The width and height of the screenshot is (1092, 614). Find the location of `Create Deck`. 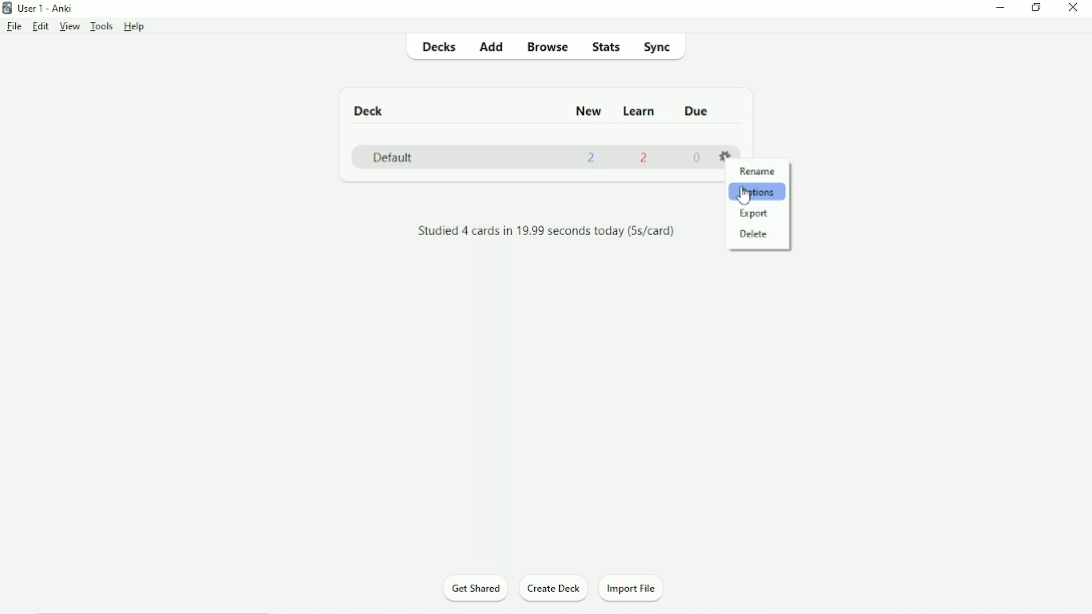

Create Deck is located at coordinates (554, 589).